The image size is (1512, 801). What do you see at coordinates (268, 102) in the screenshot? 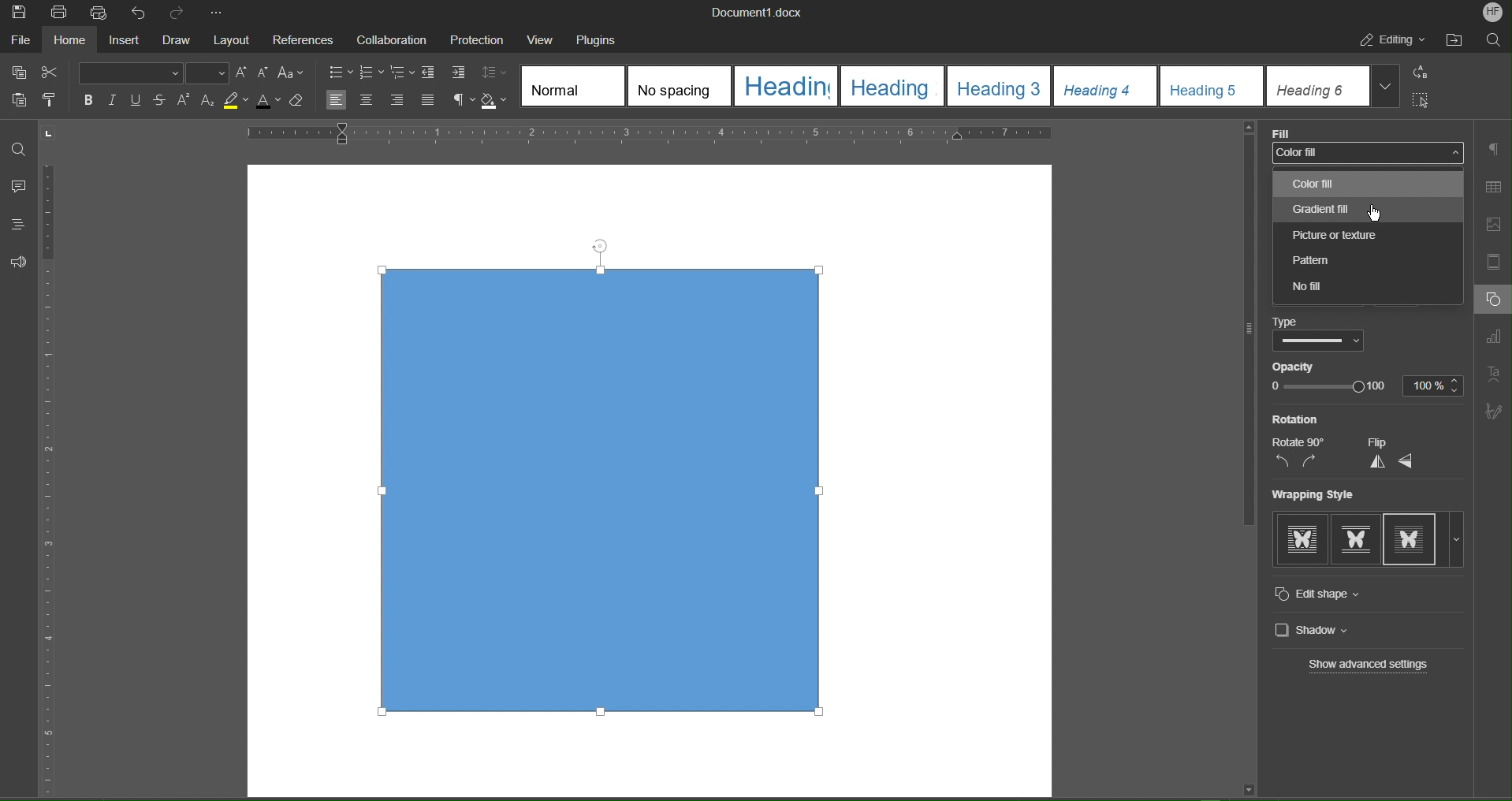
I see `Text Color` at bounding box center [268, 102].